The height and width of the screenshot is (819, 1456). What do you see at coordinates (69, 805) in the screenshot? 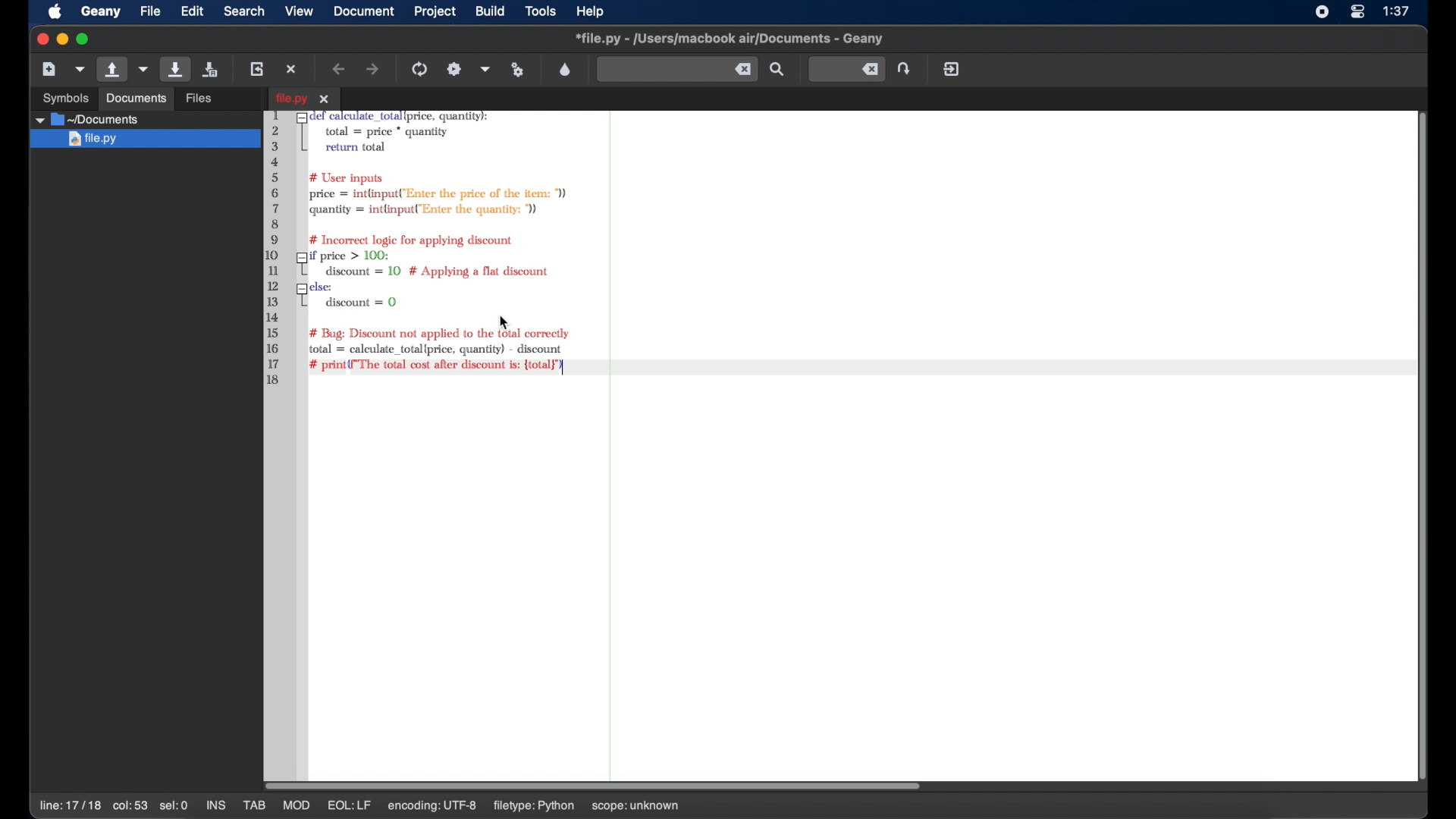
I see `line 17/17` at bounding box center [69, 805].